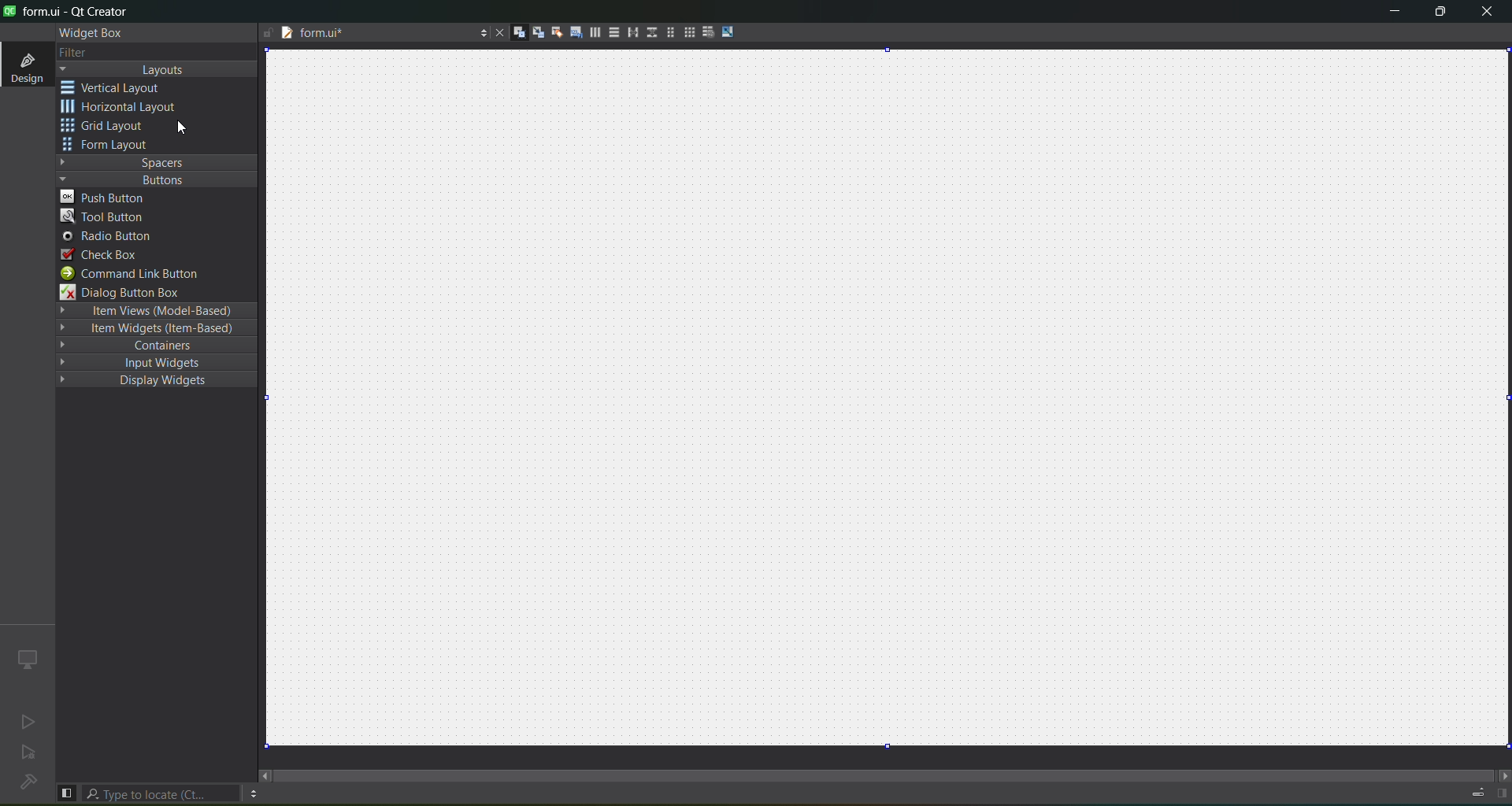 Image resolution: width=1512 pixels, height=806 pixels. I want to click on containers, so click(159, 347).